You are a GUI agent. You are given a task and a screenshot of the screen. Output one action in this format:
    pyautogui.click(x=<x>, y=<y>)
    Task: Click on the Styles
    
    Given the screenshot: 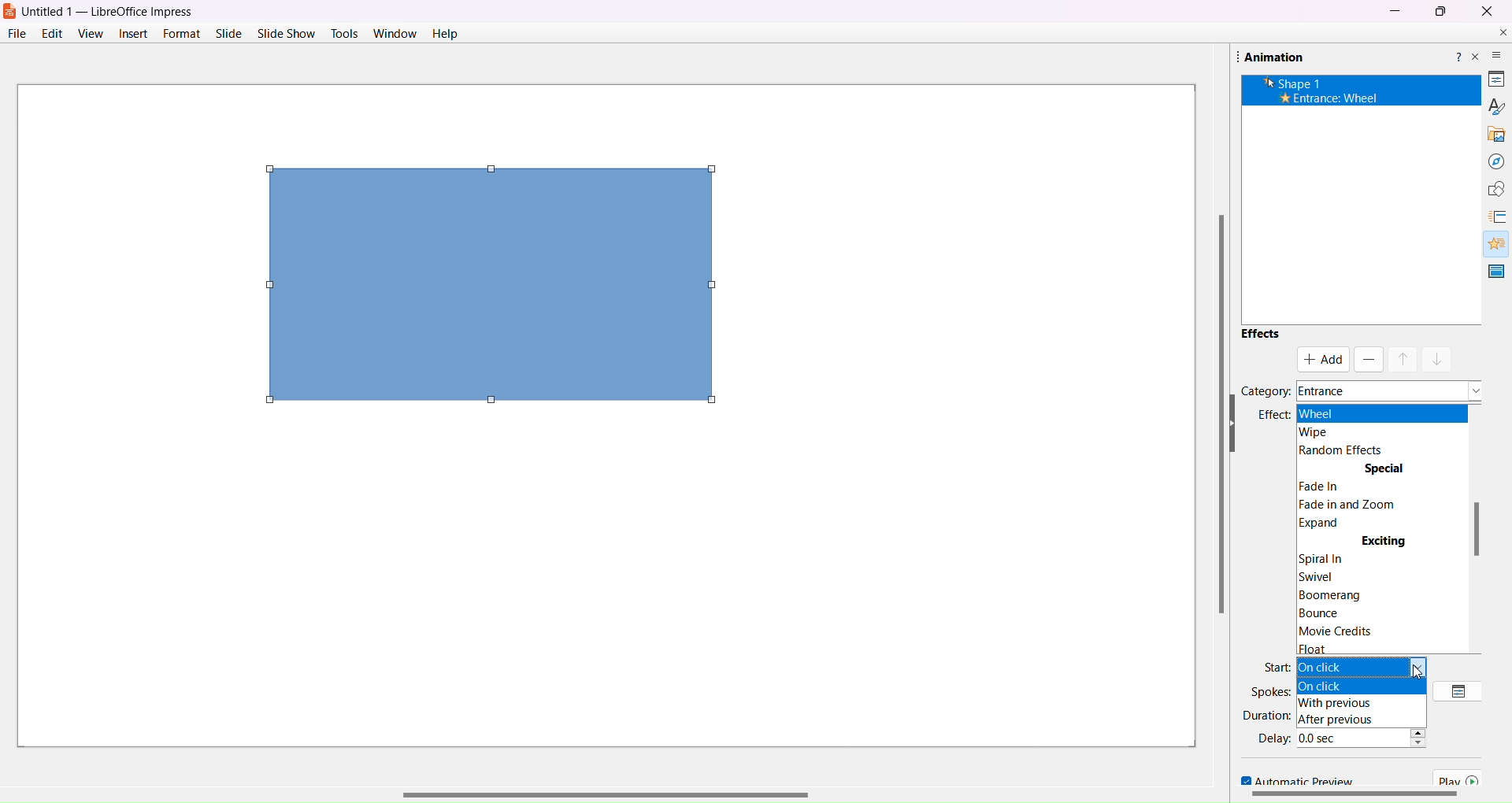 What is the action you would take?
    pyautogui.click(x=1491, y=105)
    